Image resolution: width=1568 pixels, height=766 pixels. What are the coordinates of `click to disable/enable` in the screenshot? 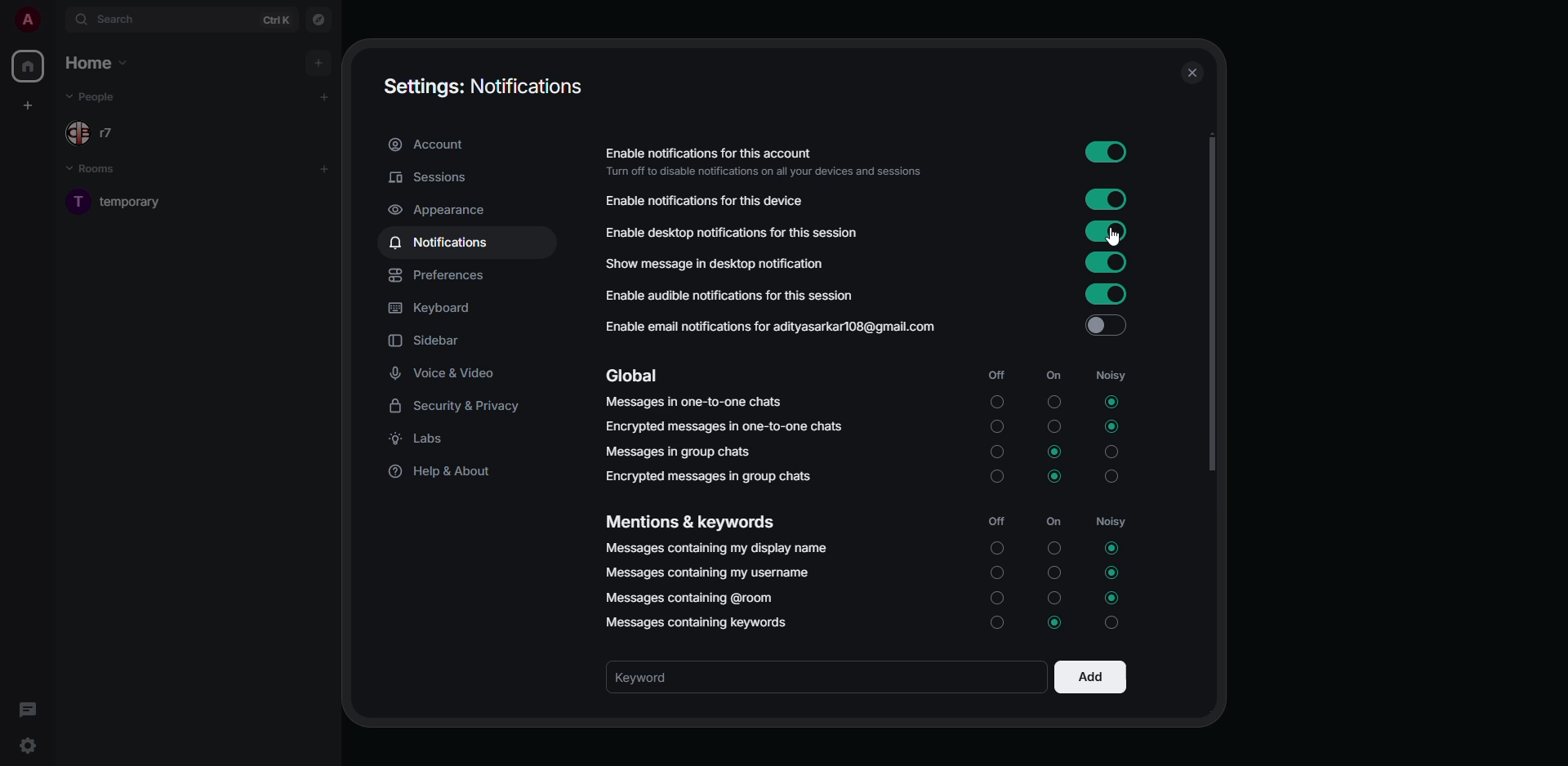 It's located at (1104, 231).